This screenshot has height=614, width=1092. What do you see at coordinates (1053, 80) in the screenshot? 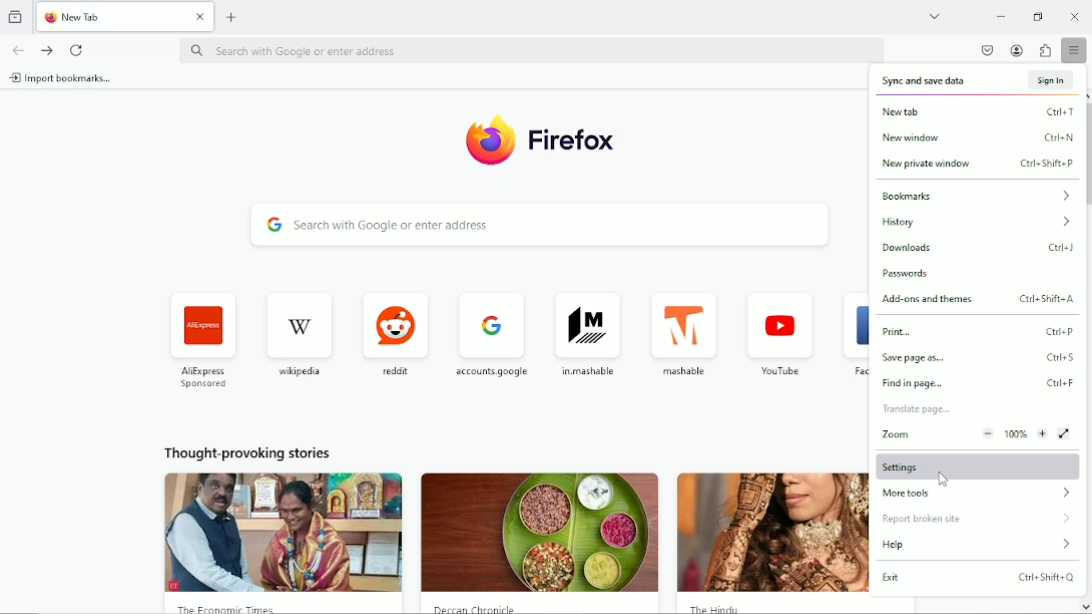
I see `sign in` at bounding box center [1053, 80].